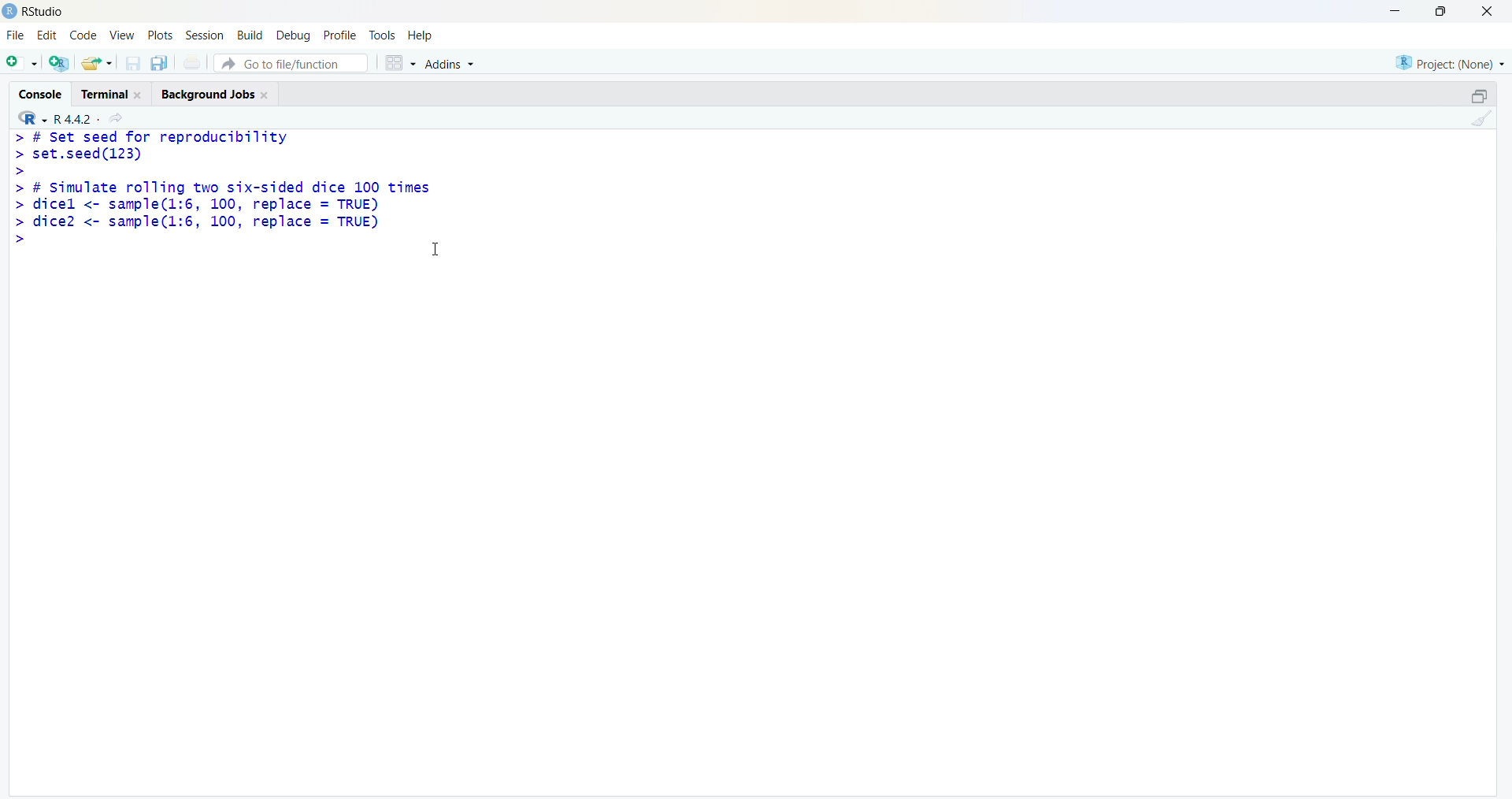 The width and height of the screenshot is (1512, 799). I want to click on help, so click(422, 36).